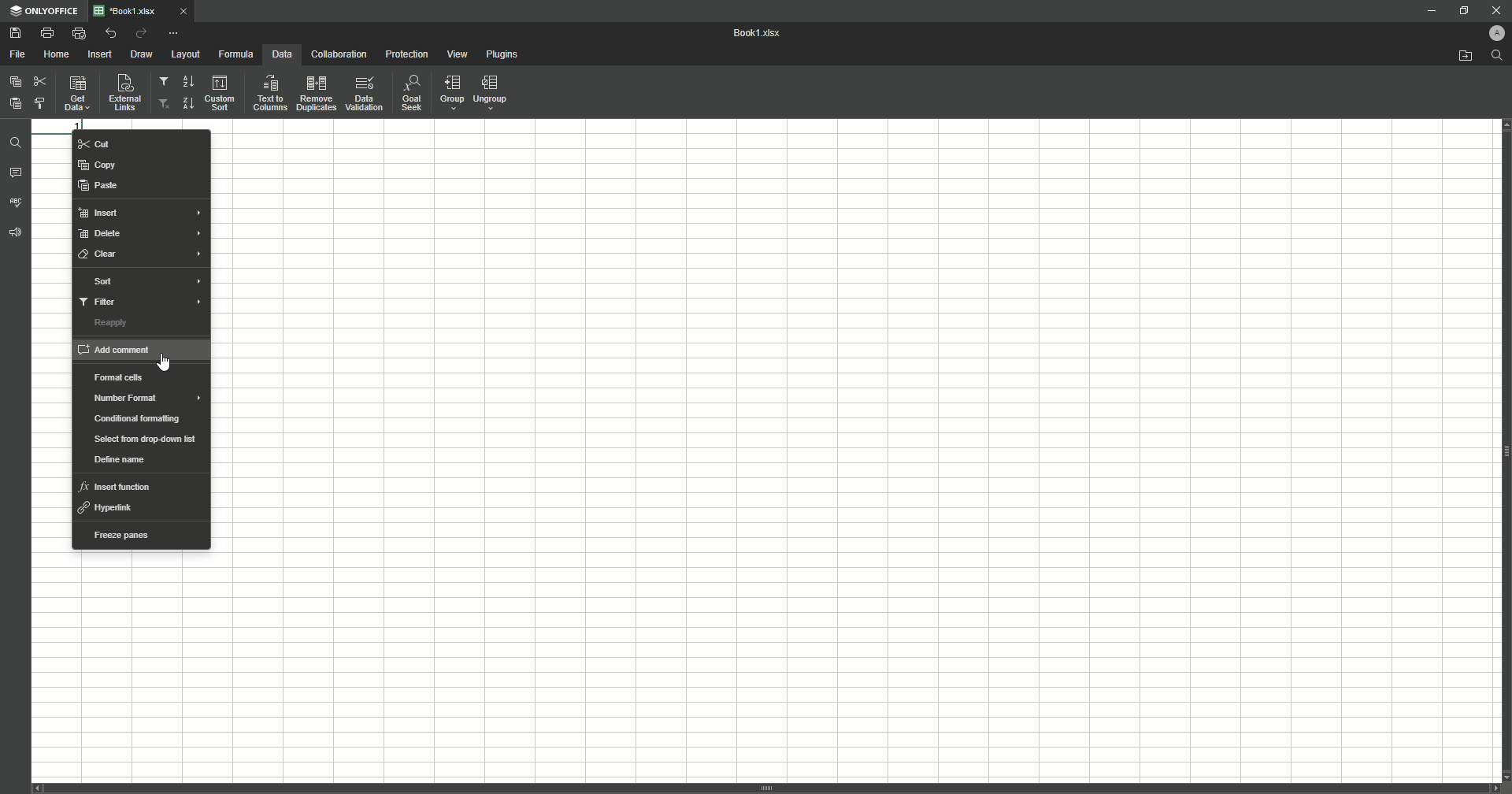  Describe the element at coordinates (280, 54) in the screenshot. I see `Data` at that location.